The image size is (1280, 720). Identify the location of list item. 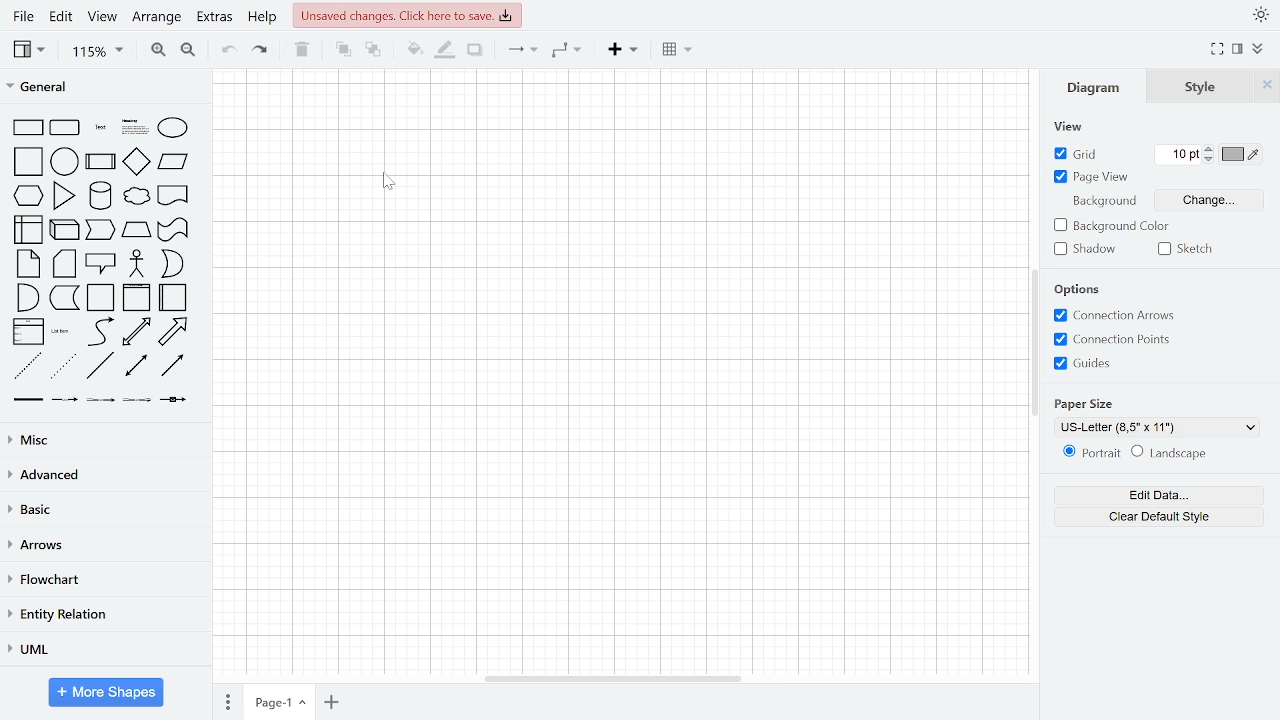
(61, 331).